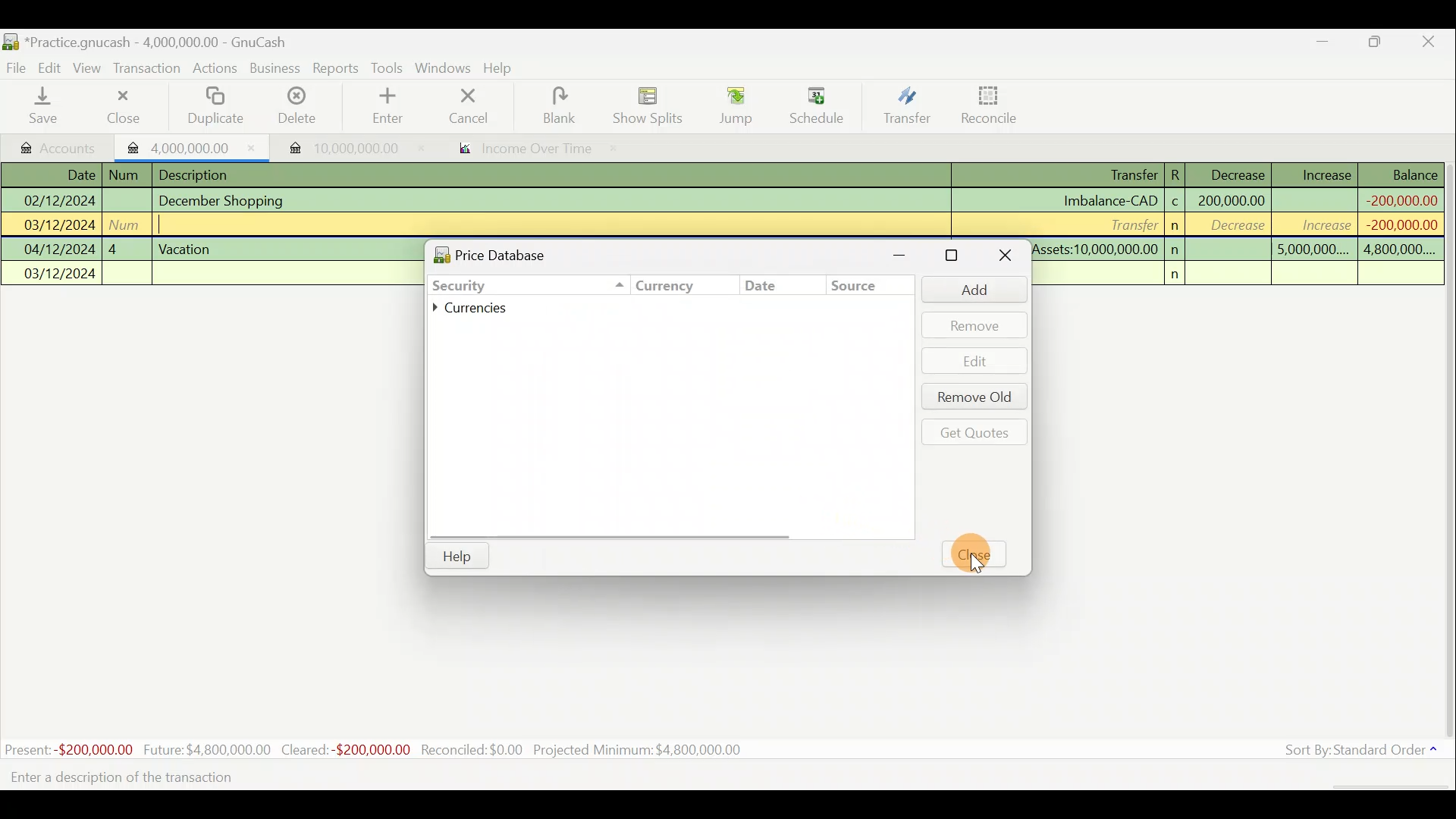 This screenshot has width=1456, height=819. Describe the element at coordinates (60, 249) in the screenshot. I see `04/12/2024` at that location.